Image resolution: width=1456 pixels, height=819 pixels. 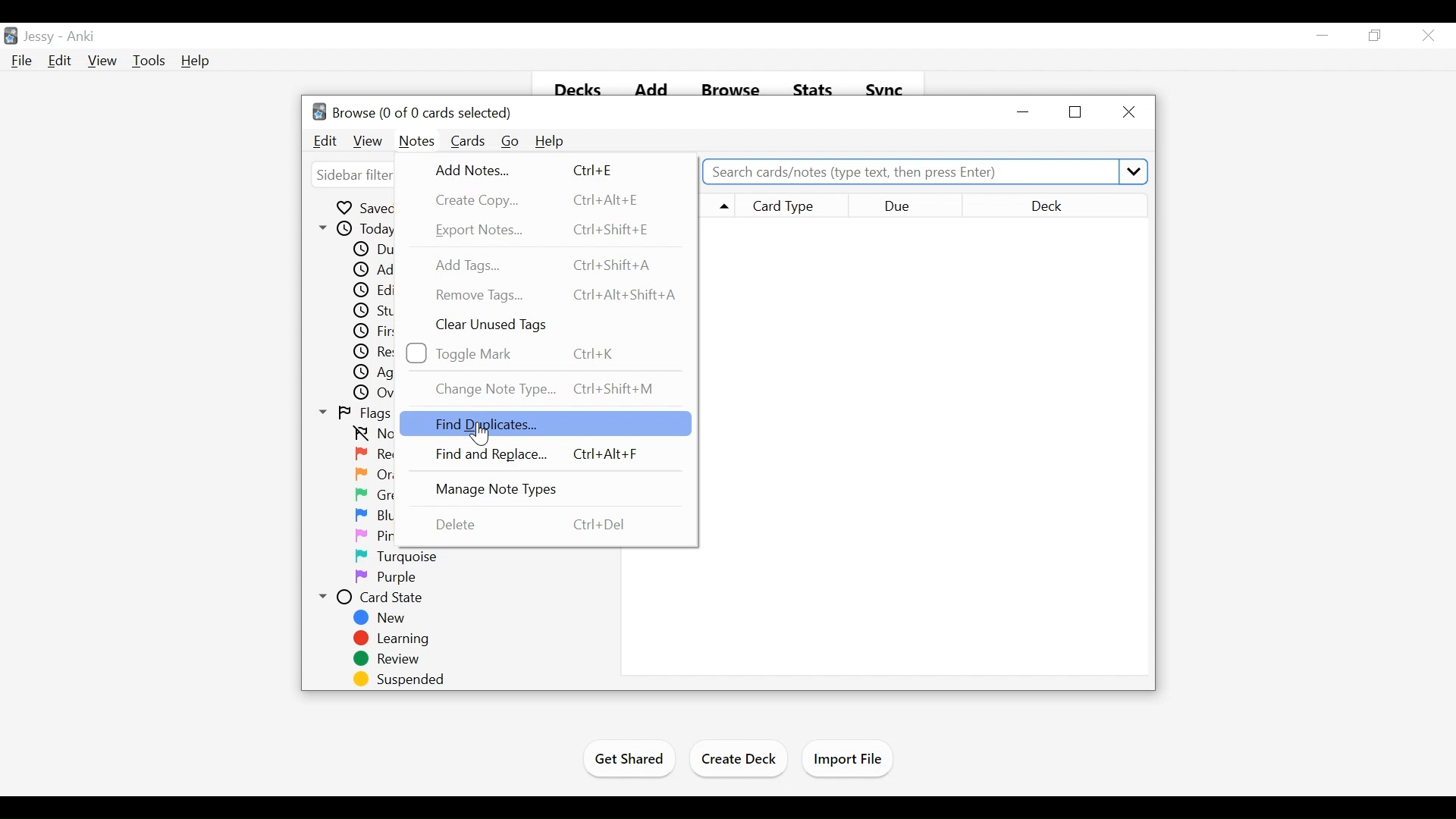 I want to click on Clear Unused Tags, so click(x=494, y=325).